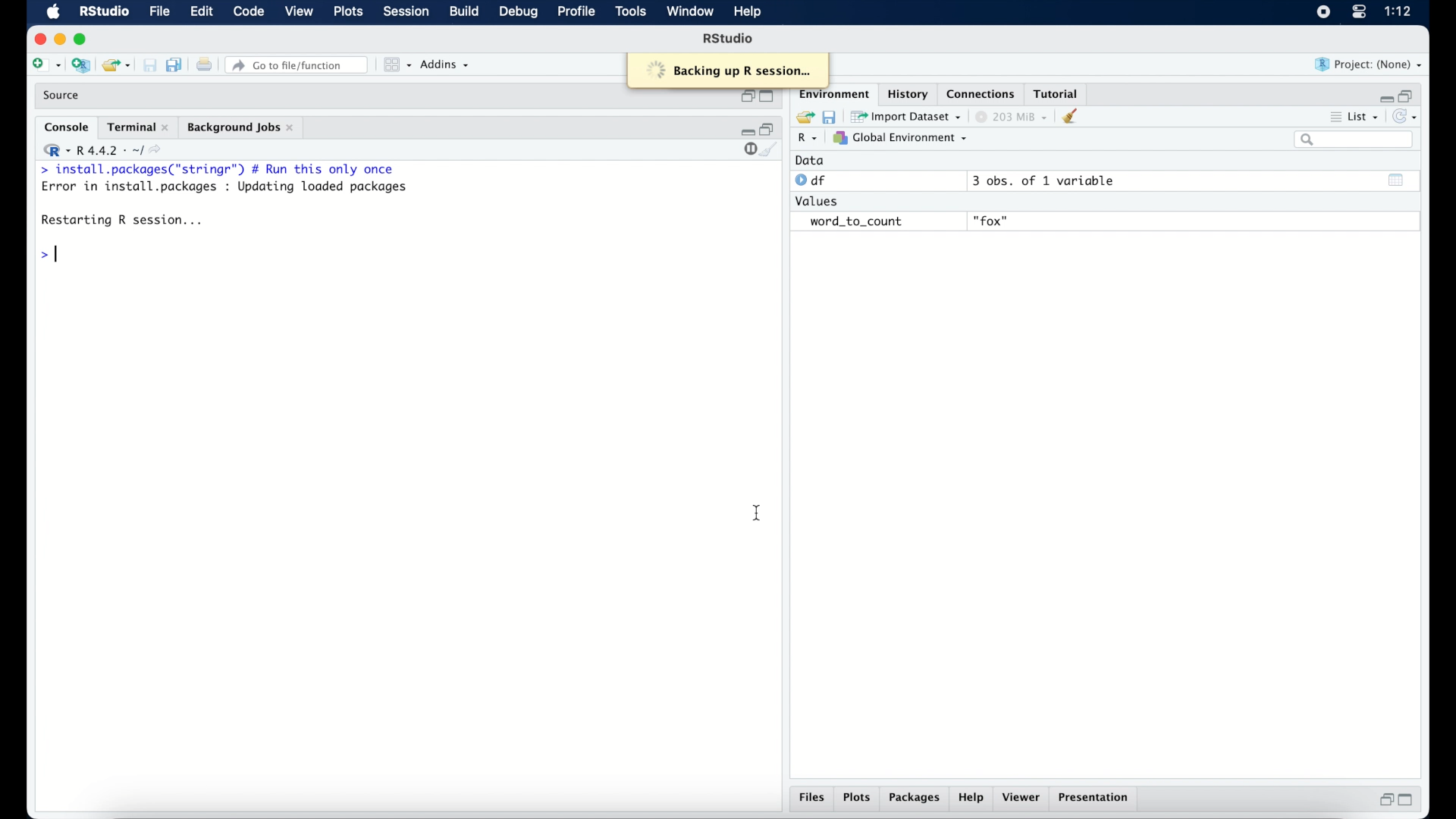 The width and height of the screenshot is (1456, 819). Describe the element at coordinates (748, 150) in the screenshot. I see `stop` at that location.